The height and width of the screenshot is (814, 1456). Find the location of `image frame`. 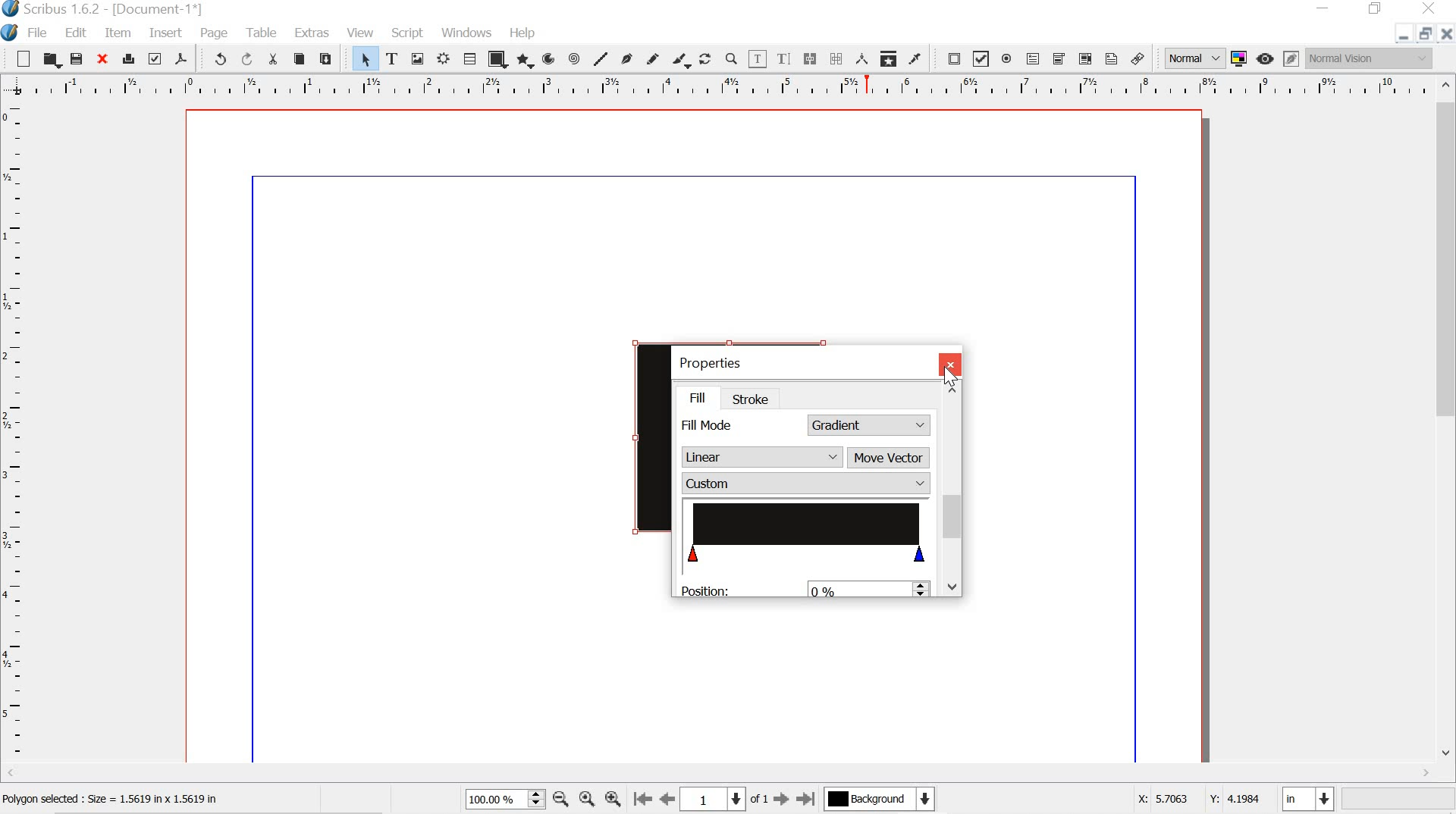

image frame is located at coordinates (418, 58).